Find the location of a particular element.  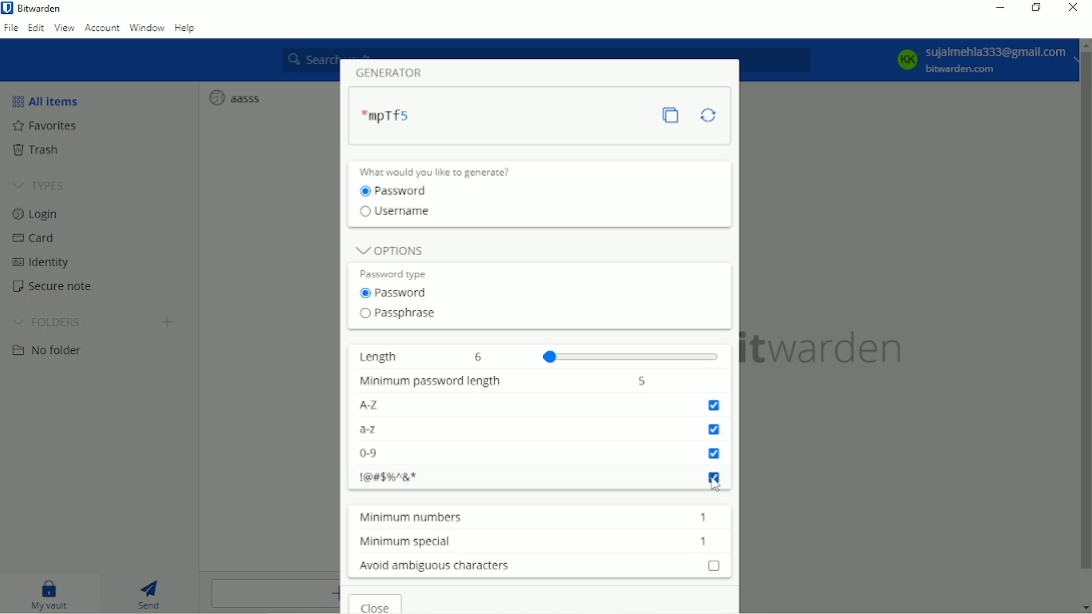

passphrase radio button is located at coordinates (393, 316).